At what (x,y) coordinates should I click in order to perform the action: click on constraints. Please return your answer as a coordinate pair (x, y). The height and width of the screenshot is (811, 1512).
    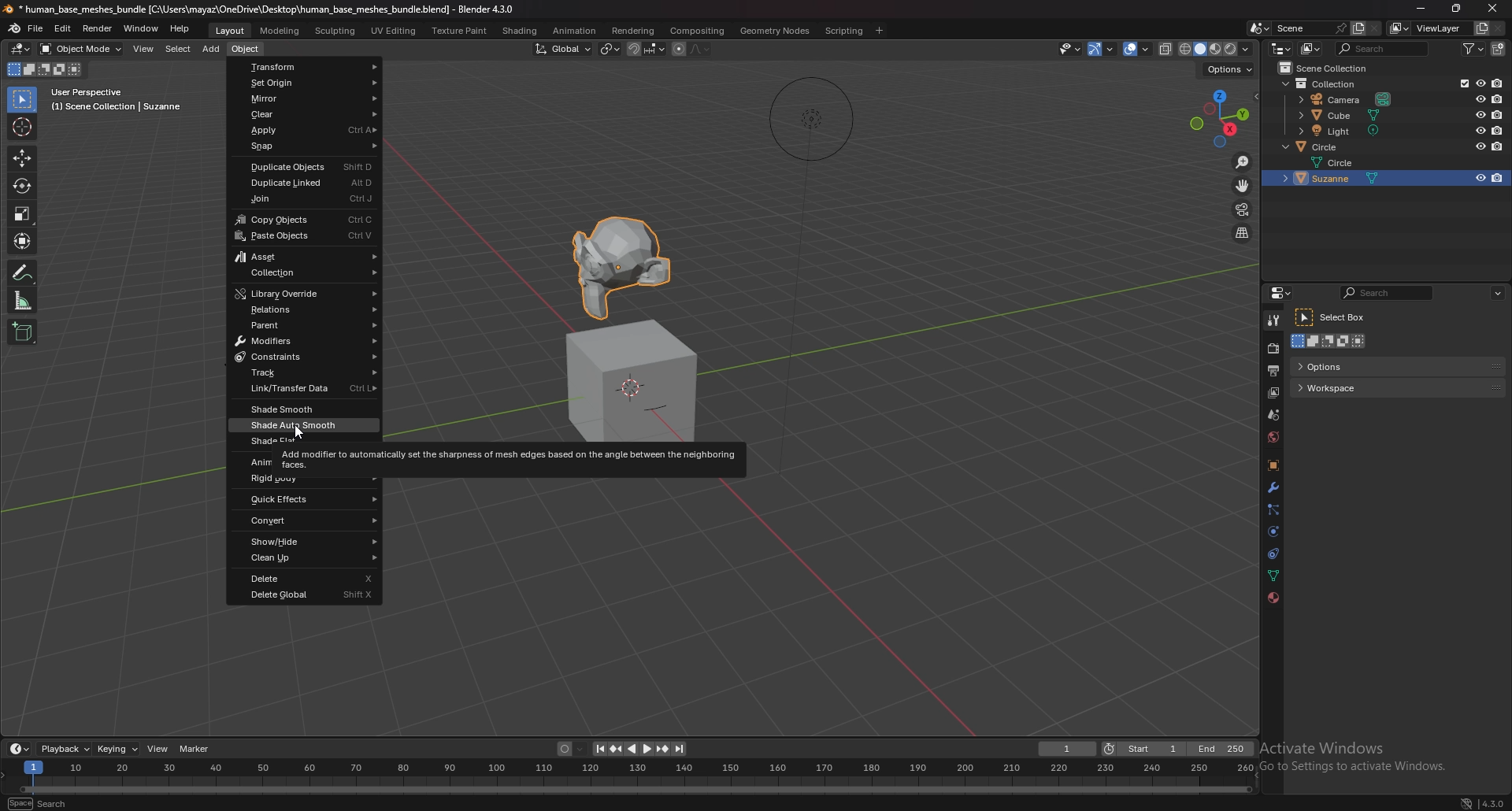
    Looking at the image, I should click on (306, 357).